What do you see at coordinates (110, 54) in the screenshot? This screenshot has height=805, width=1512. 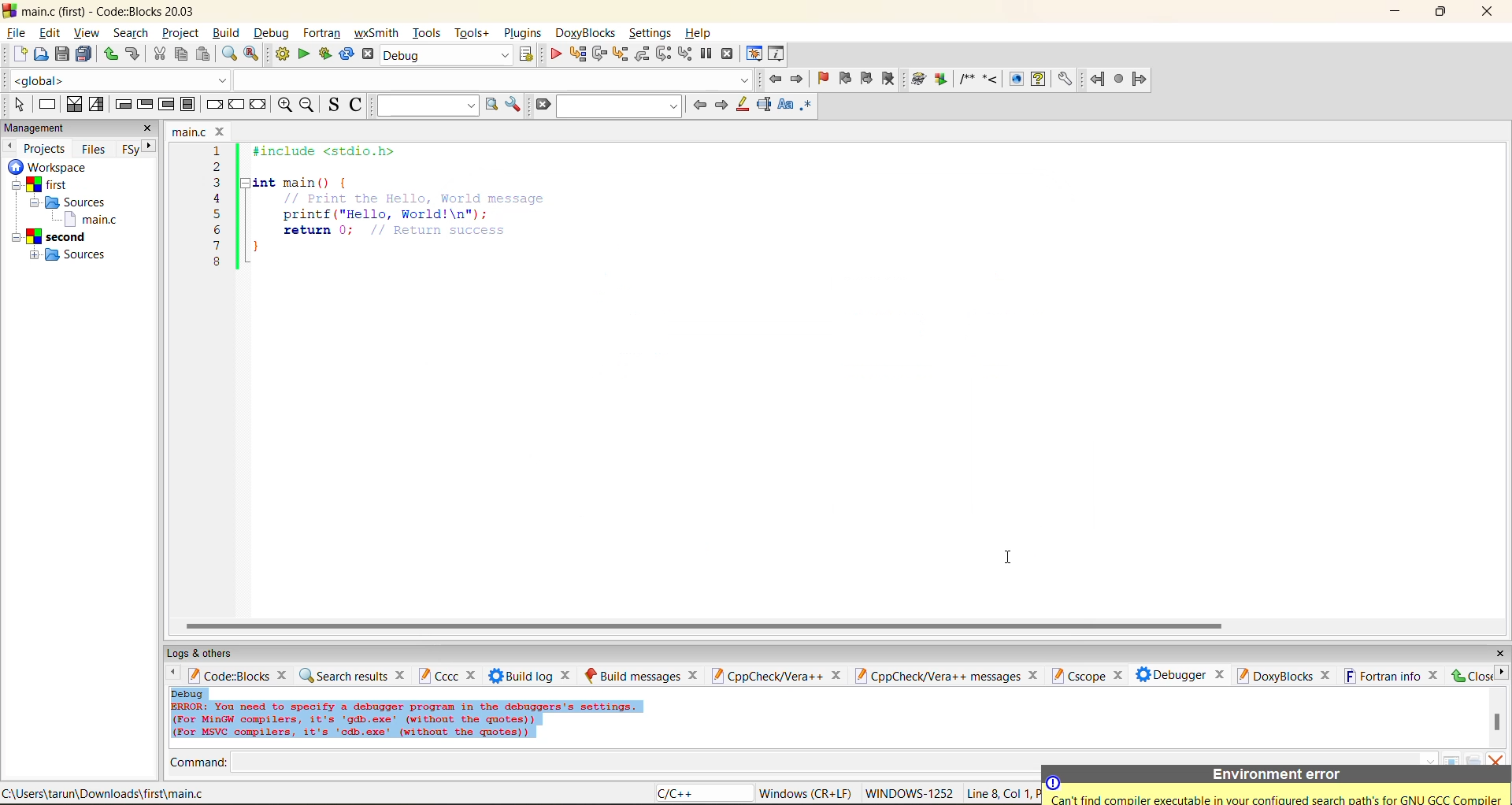 I see `redo` at bounding box center [110, 54].